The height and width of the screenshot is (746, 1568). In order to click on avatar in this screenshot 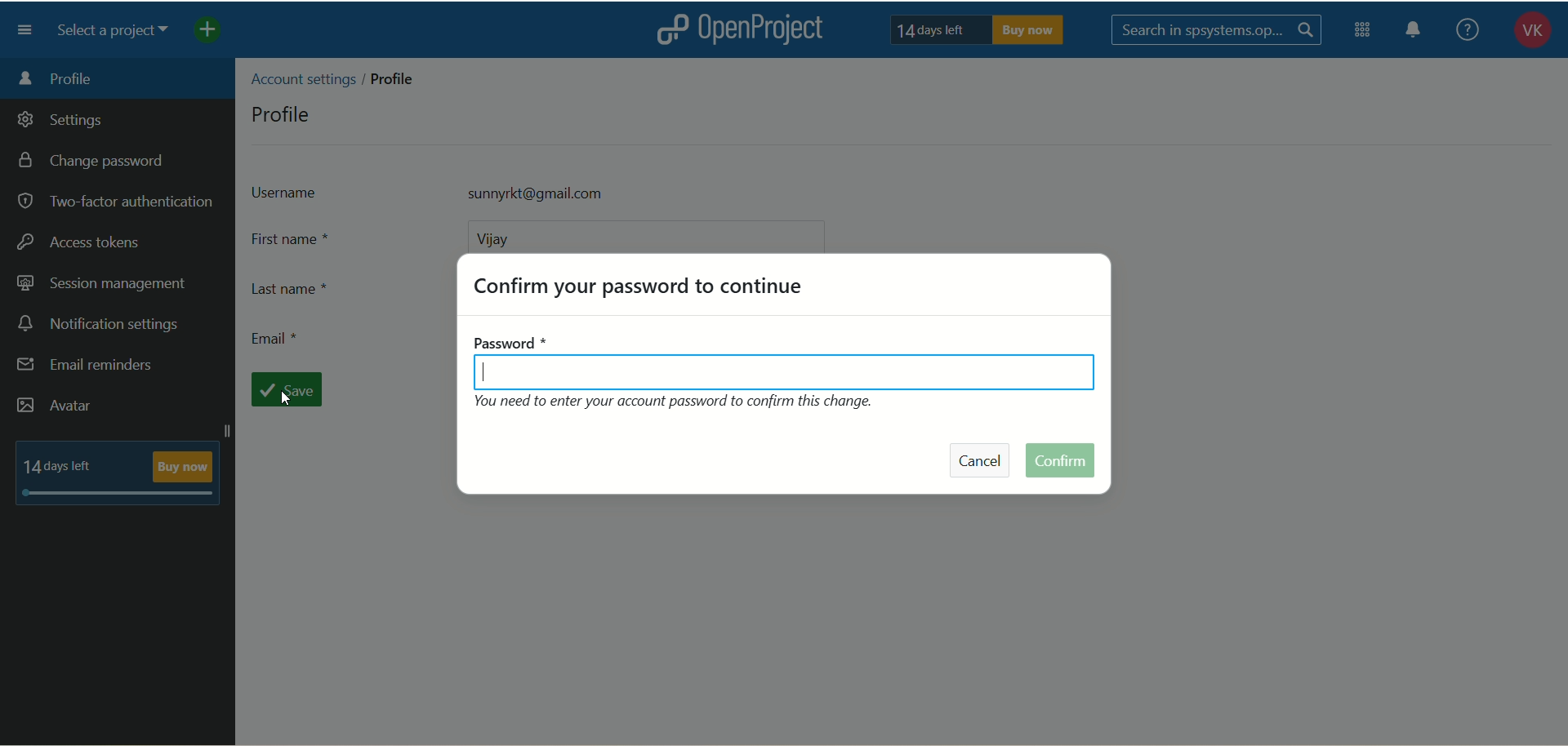, I will do `click(56, 406)`.